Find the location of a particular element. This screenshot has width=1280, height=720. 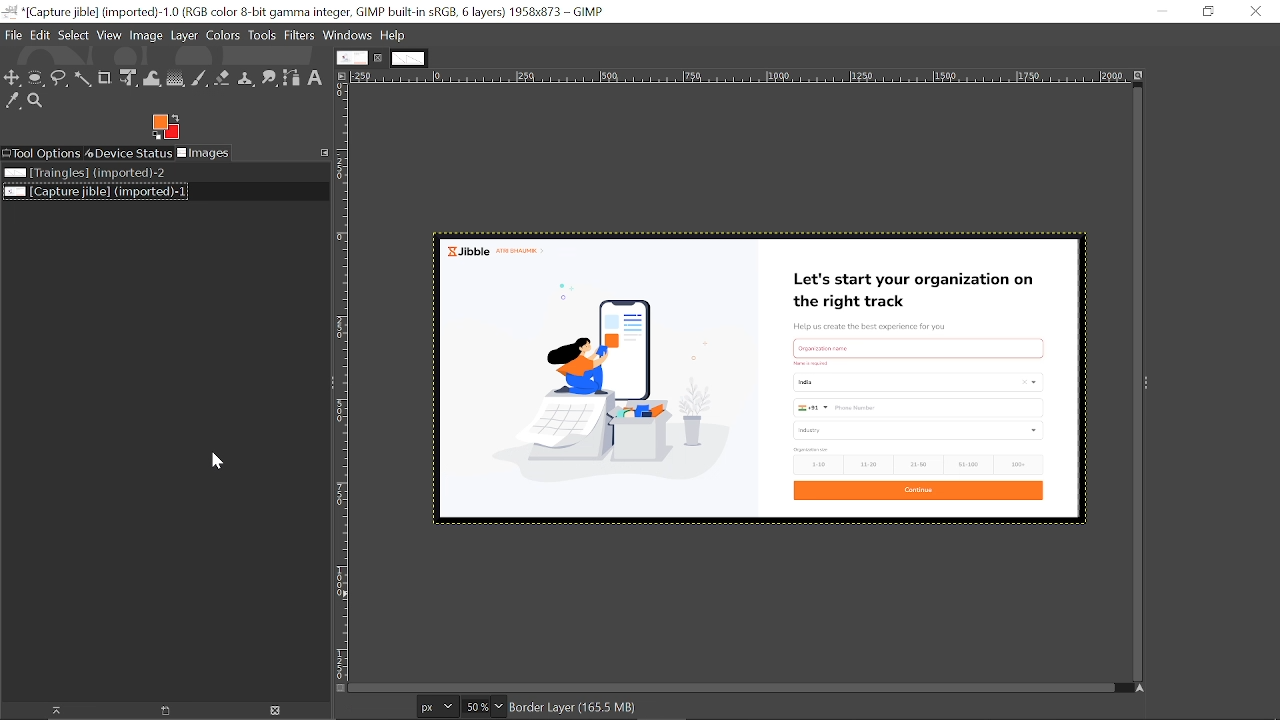

Foreground color is located at coordinates (165, 127).